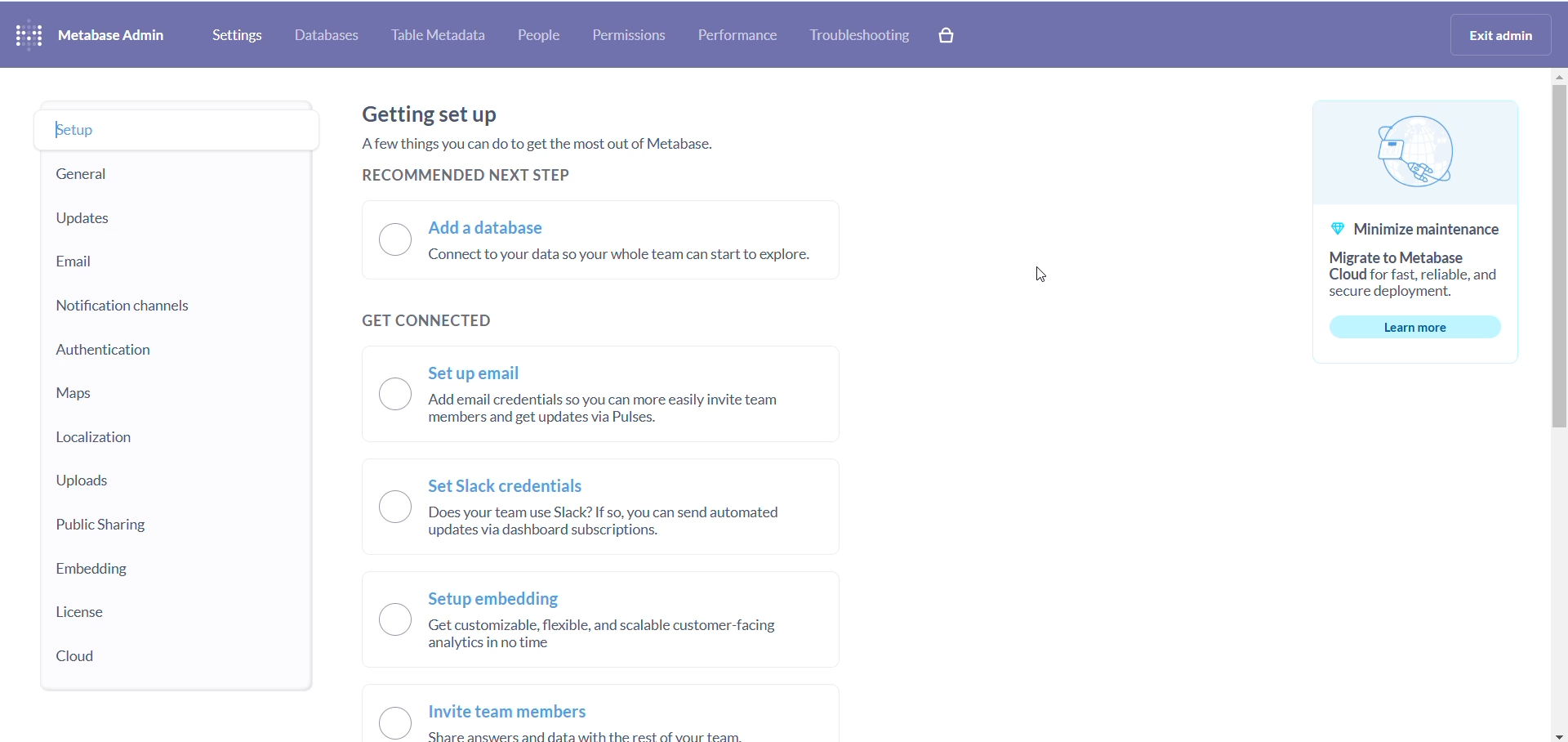 This screenshot has width=1568, height=742. Describe the element at coordinates (1503, 37) in the screenshot. I see `exit admin` at that location.